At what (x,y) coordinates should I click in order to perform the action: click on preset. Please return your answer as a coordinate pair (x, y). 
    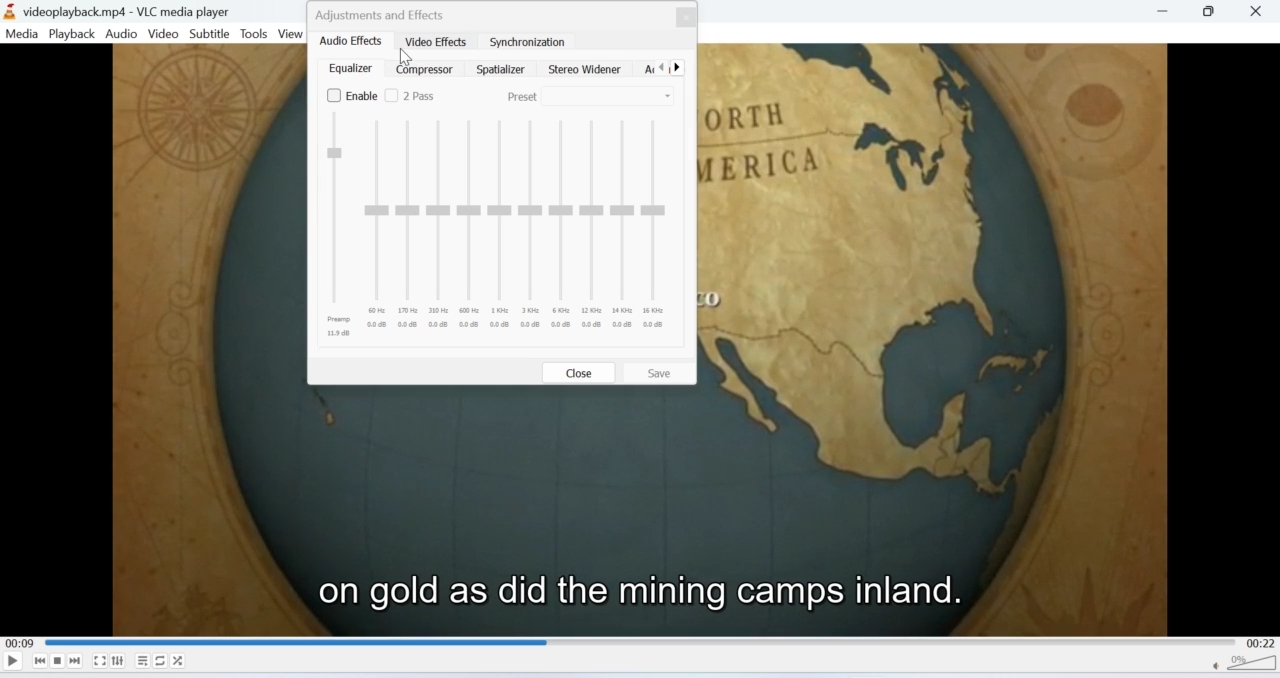
    Looking at the image, I should click on (595, 98).